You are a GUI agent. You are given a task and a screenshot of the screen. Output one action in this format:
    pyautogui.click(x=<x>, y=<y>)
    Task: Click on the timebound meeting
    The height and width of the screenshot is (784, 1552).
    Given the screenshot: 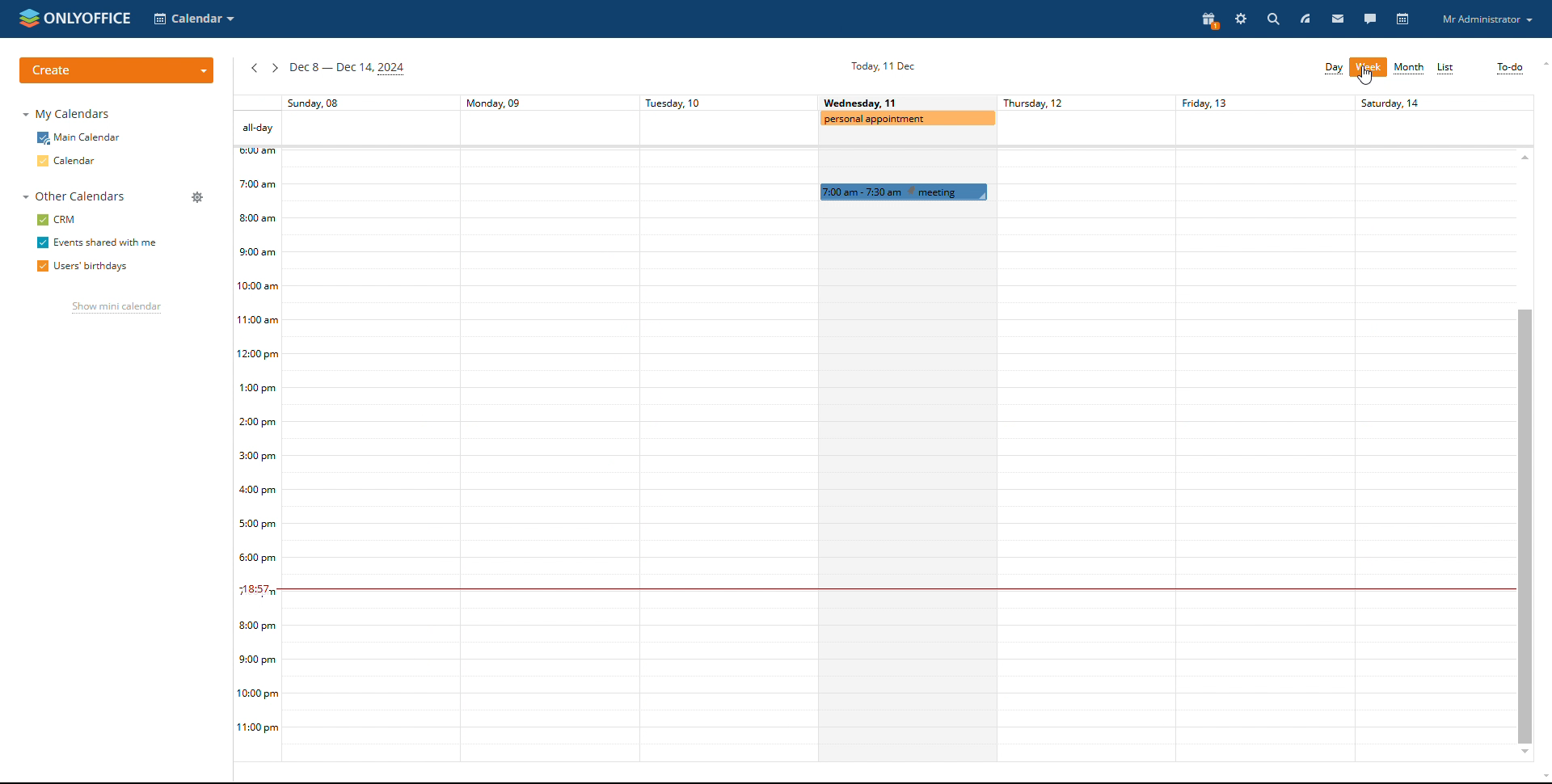 What is the action you would take?
    pyautogui.click(x=904, y=192)
    